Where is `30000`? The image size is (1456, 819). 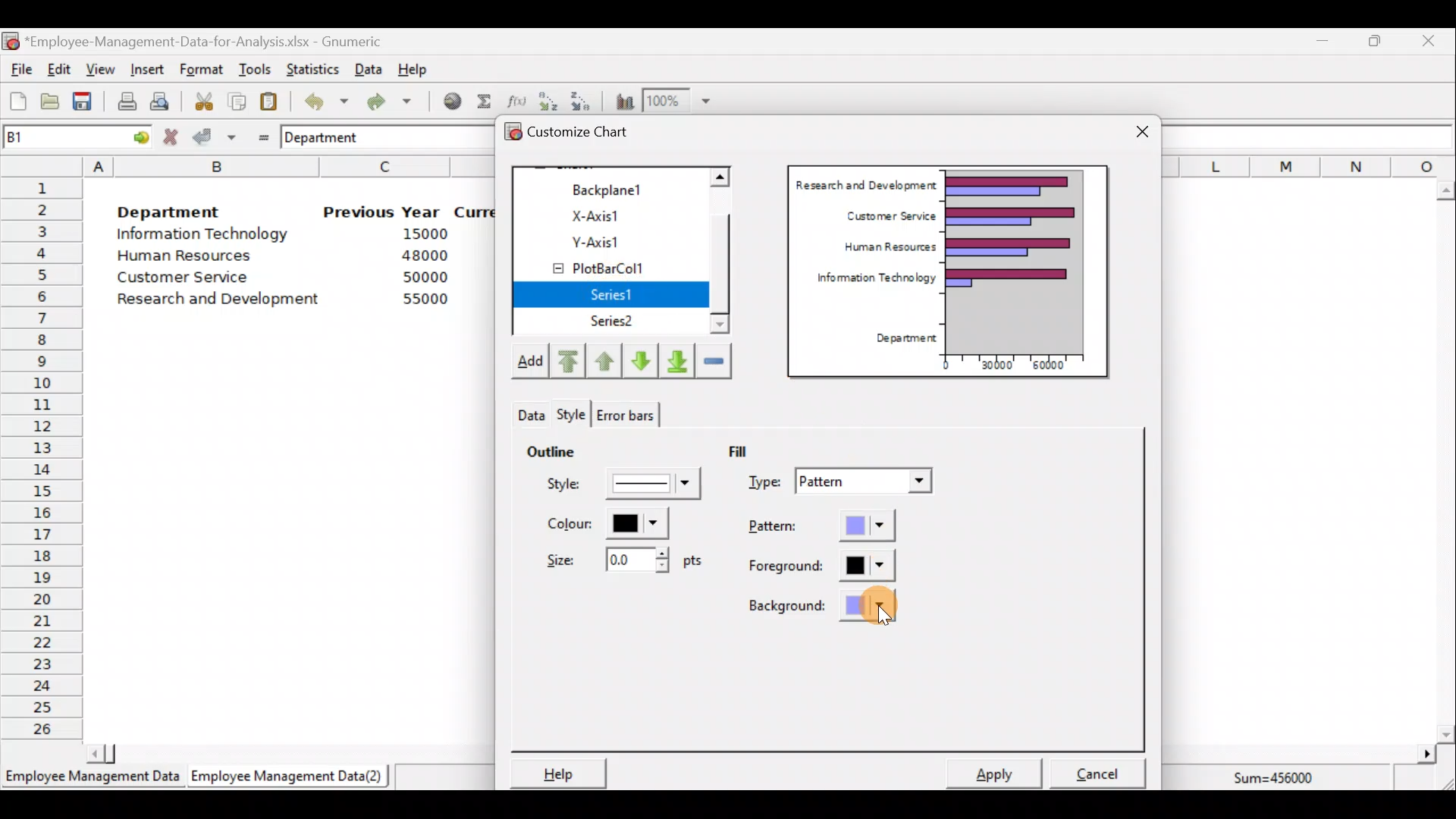
30000 is located at coordinates (996, 363).